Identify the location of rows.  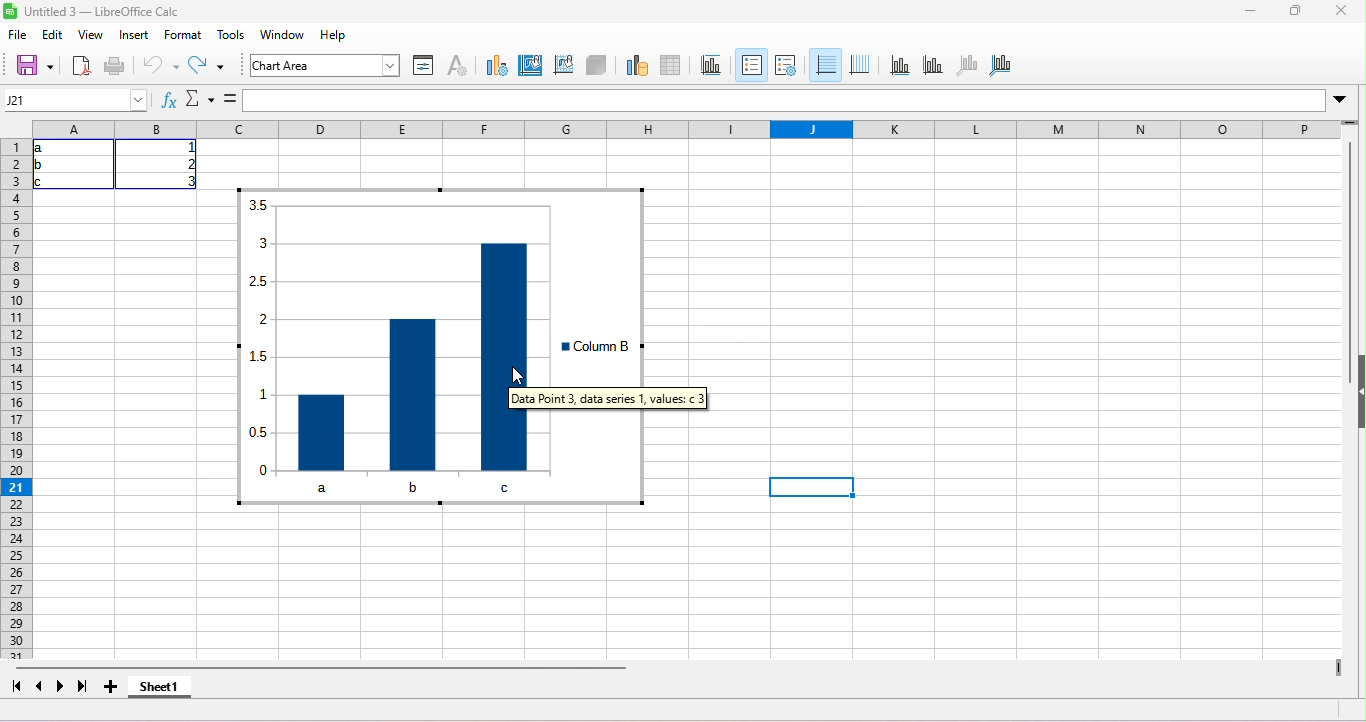
(15, 398).